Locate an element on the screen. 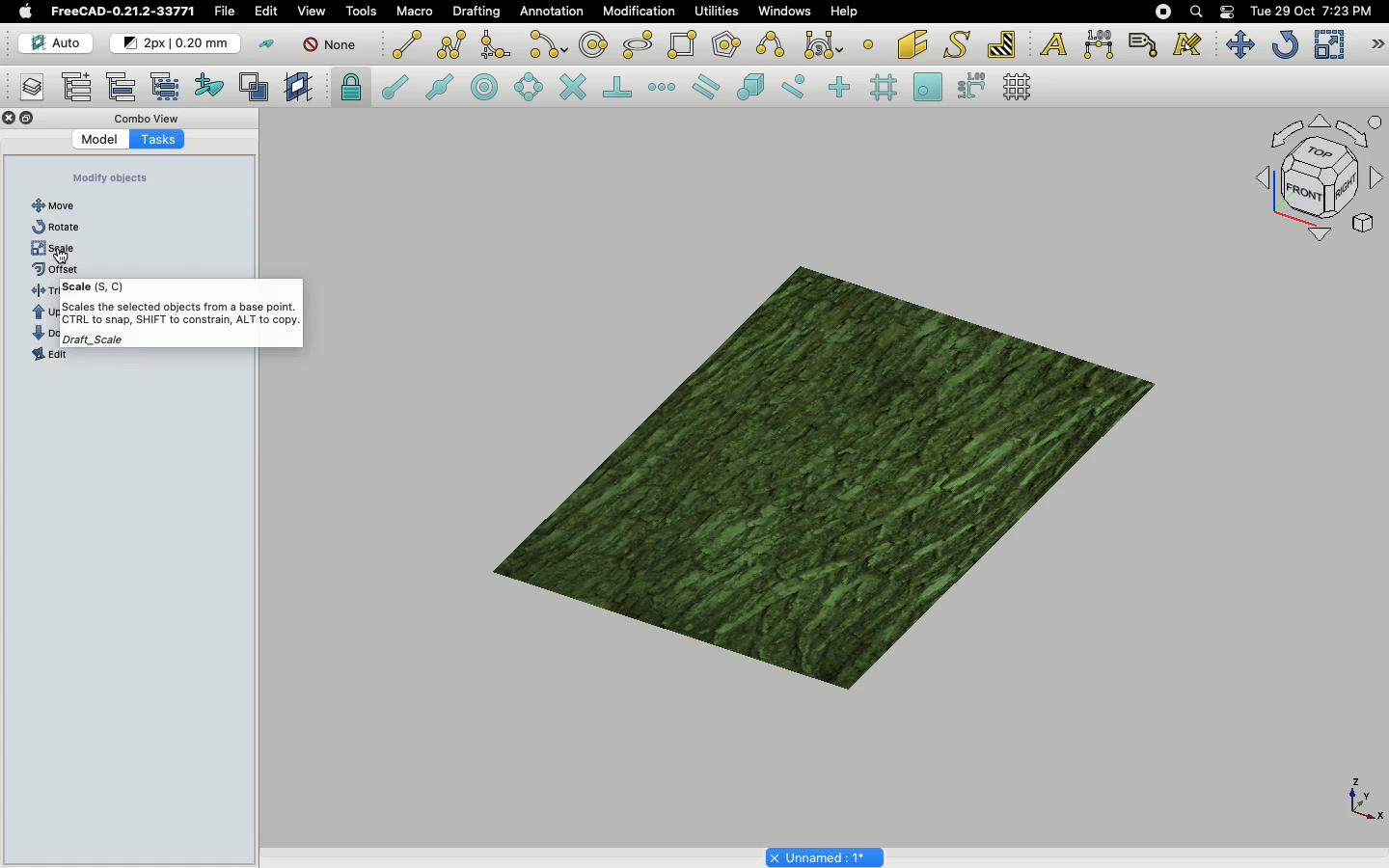  Label is located at coordinates (1144, 42).